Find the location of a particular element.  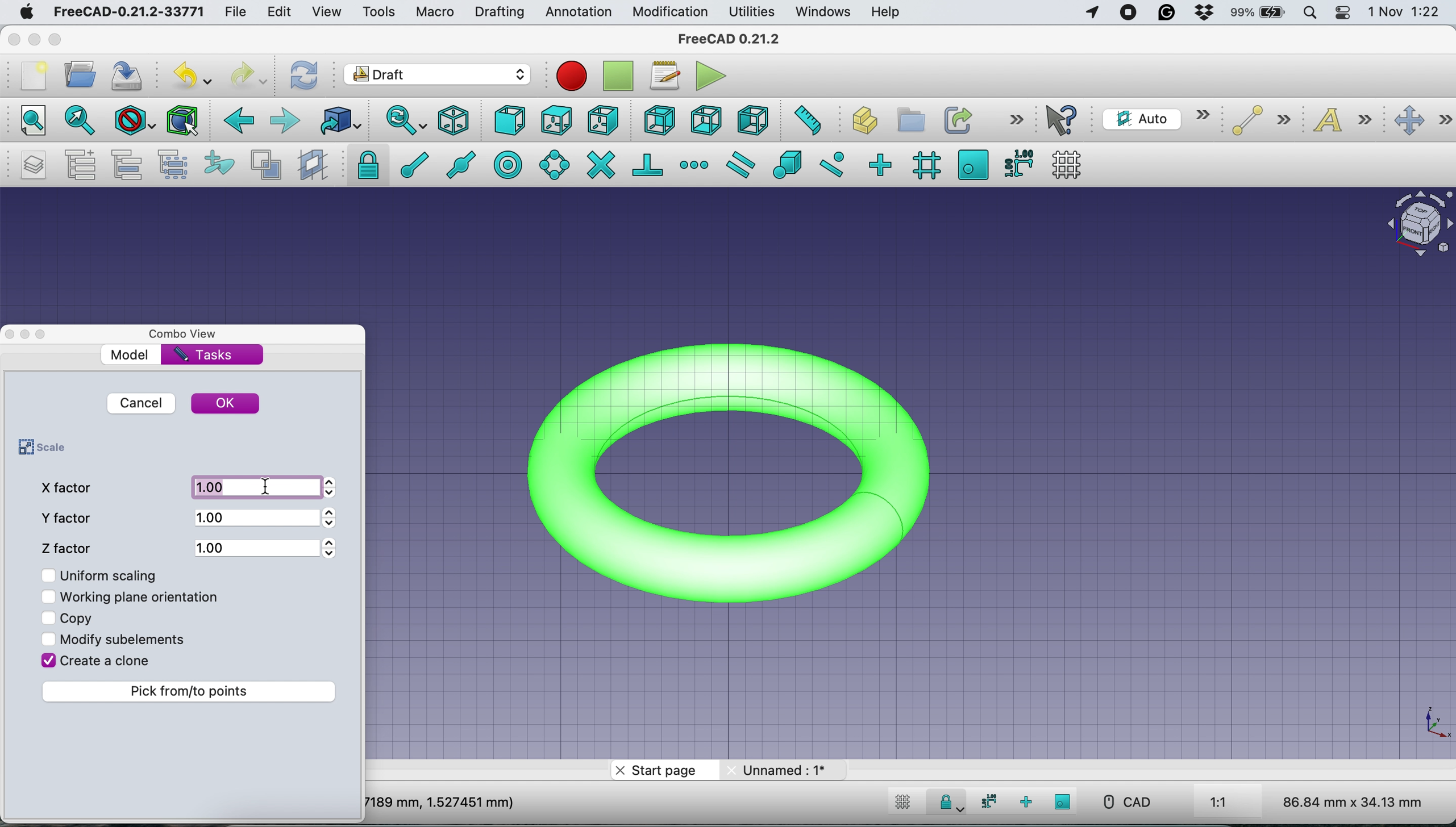

move is located at coordinates (1422, 121).